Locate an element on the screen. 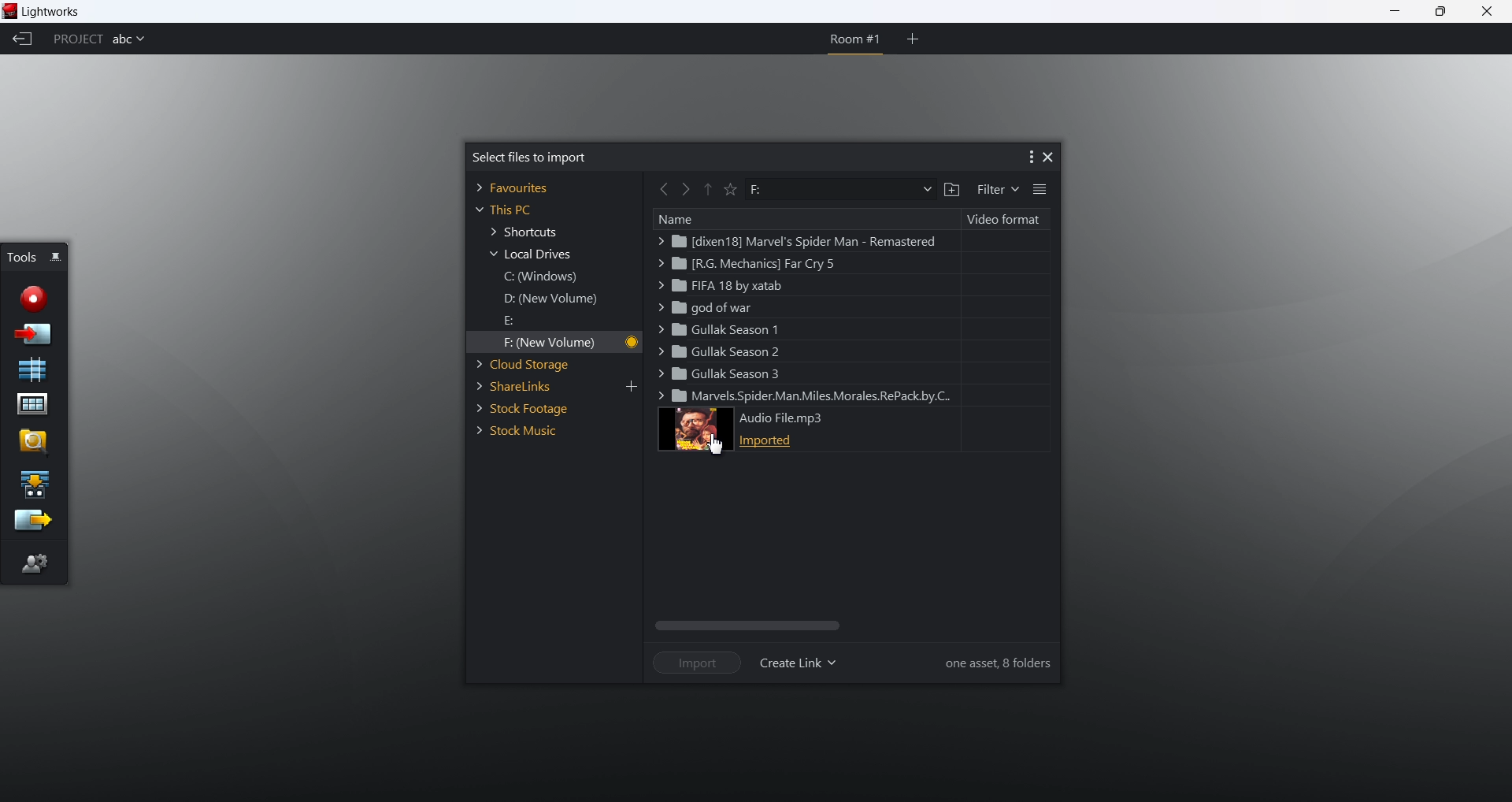 The width and height of the screenshot is (1512, 802). create link is located at coordinates (799, 663).